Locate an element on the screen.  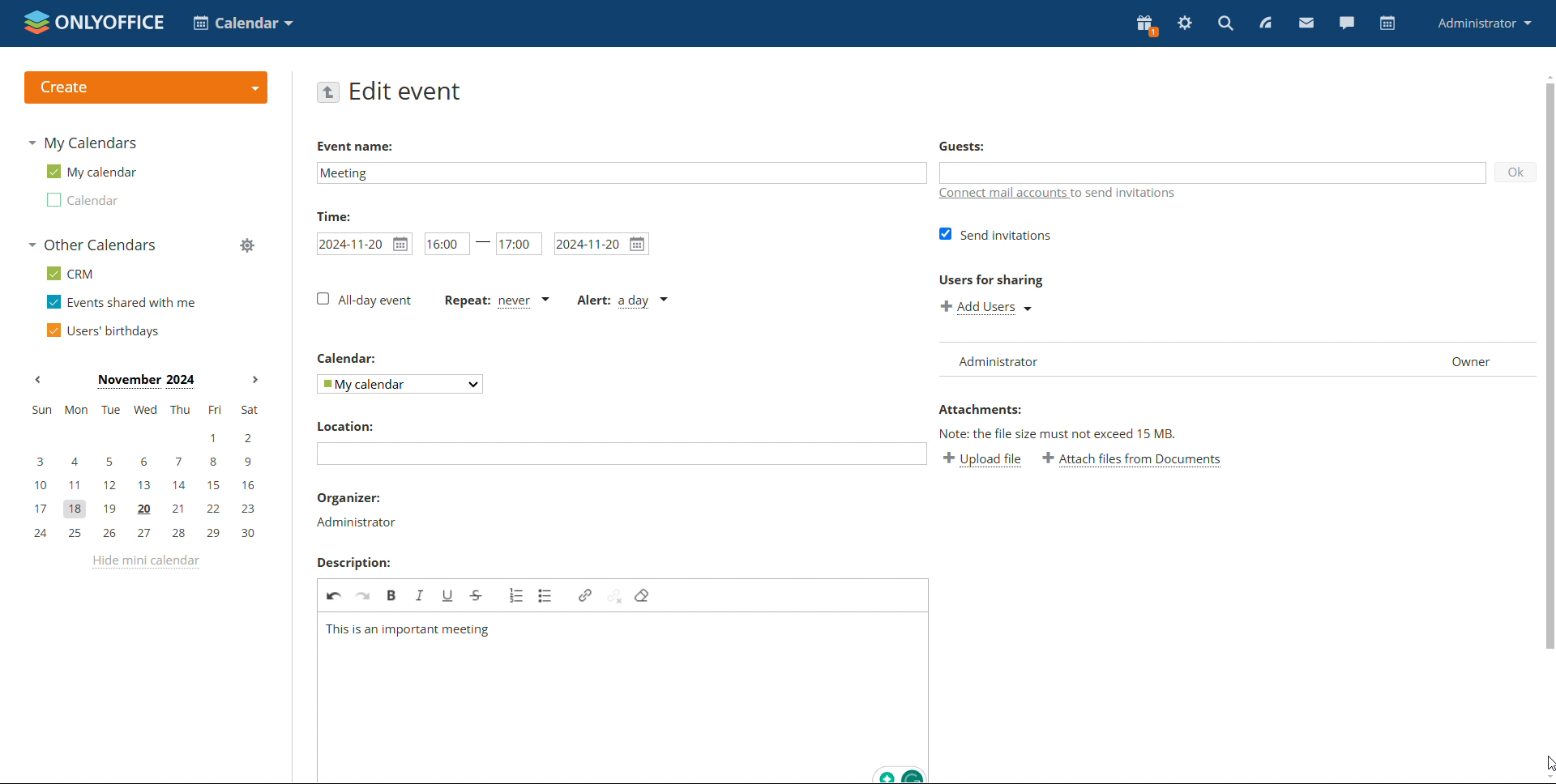
mail is located at coordinates (1306, 23).